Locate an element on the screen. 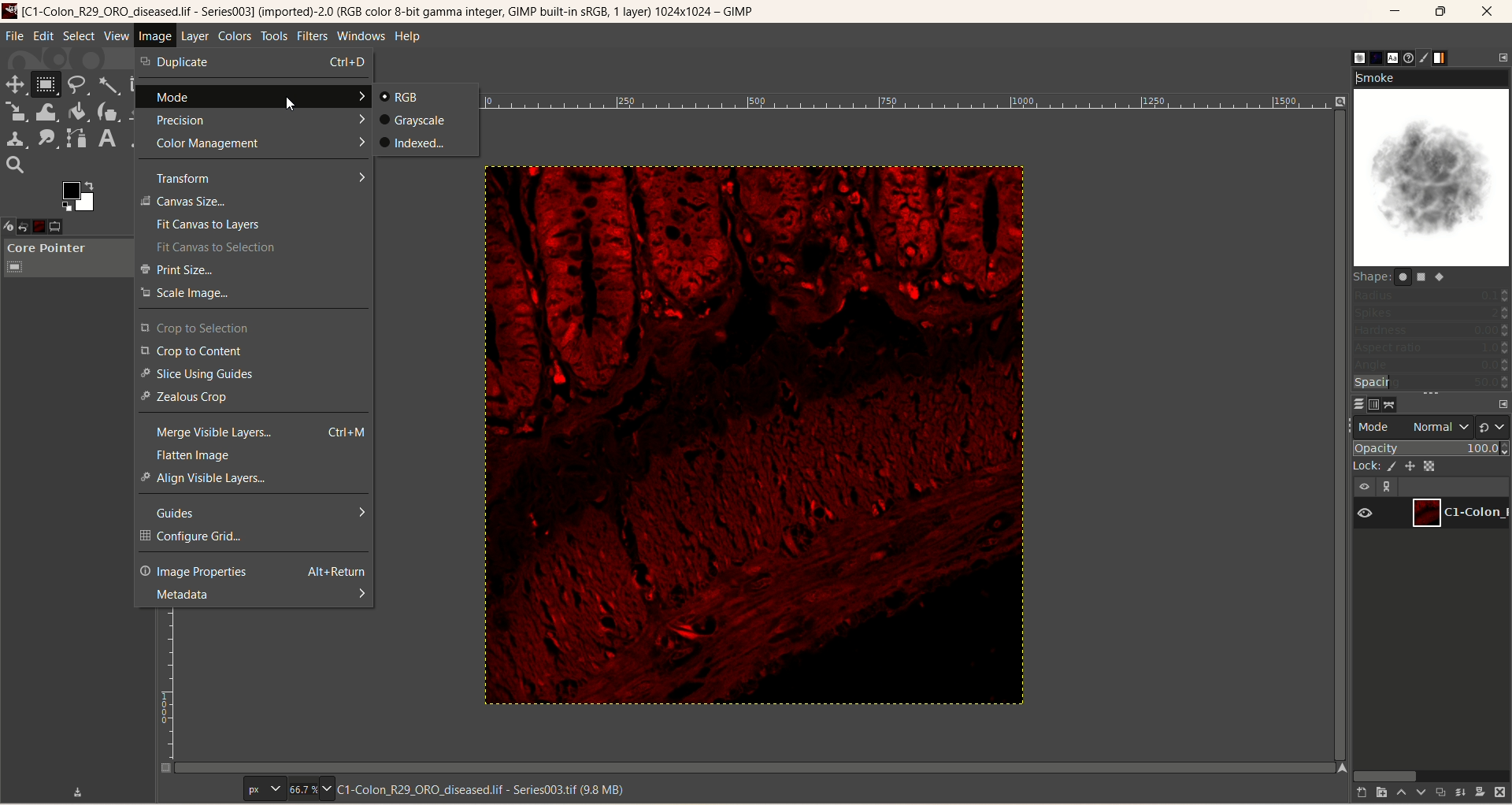 This screenshot has width=1512, height=805. channels is located at coordinates (1377, 405).